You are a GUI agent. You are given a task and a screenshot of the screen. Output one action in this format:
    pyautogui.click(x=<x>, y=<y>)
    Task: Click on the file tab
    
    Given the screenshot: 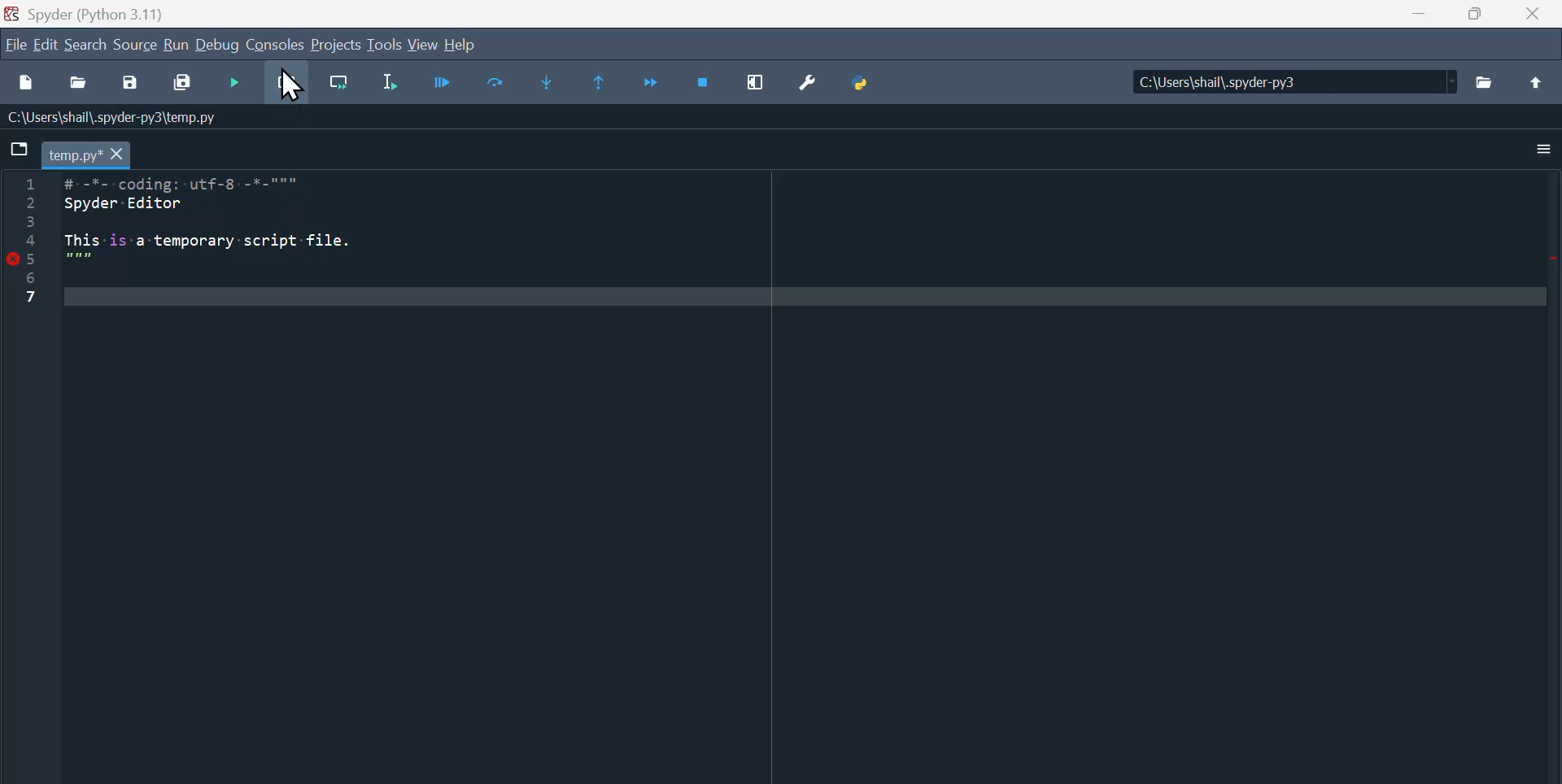 What is the action you would take?
    pyautogui.click(x=87, y=156)
    